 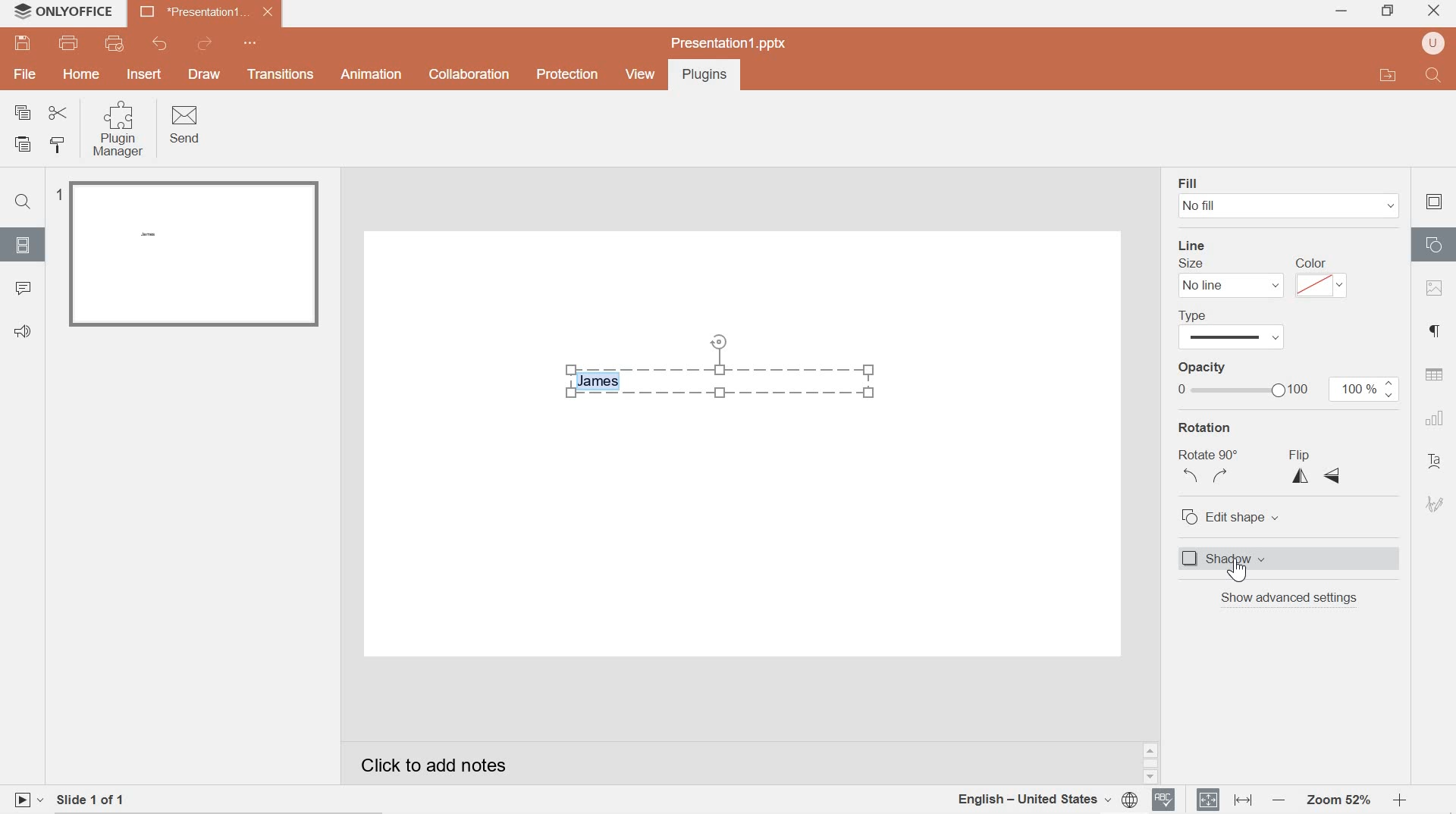 What do you see at coordinates (1150, 764) in the screenshot?
I see `scrollbar` at bounding box center [1150, 764].